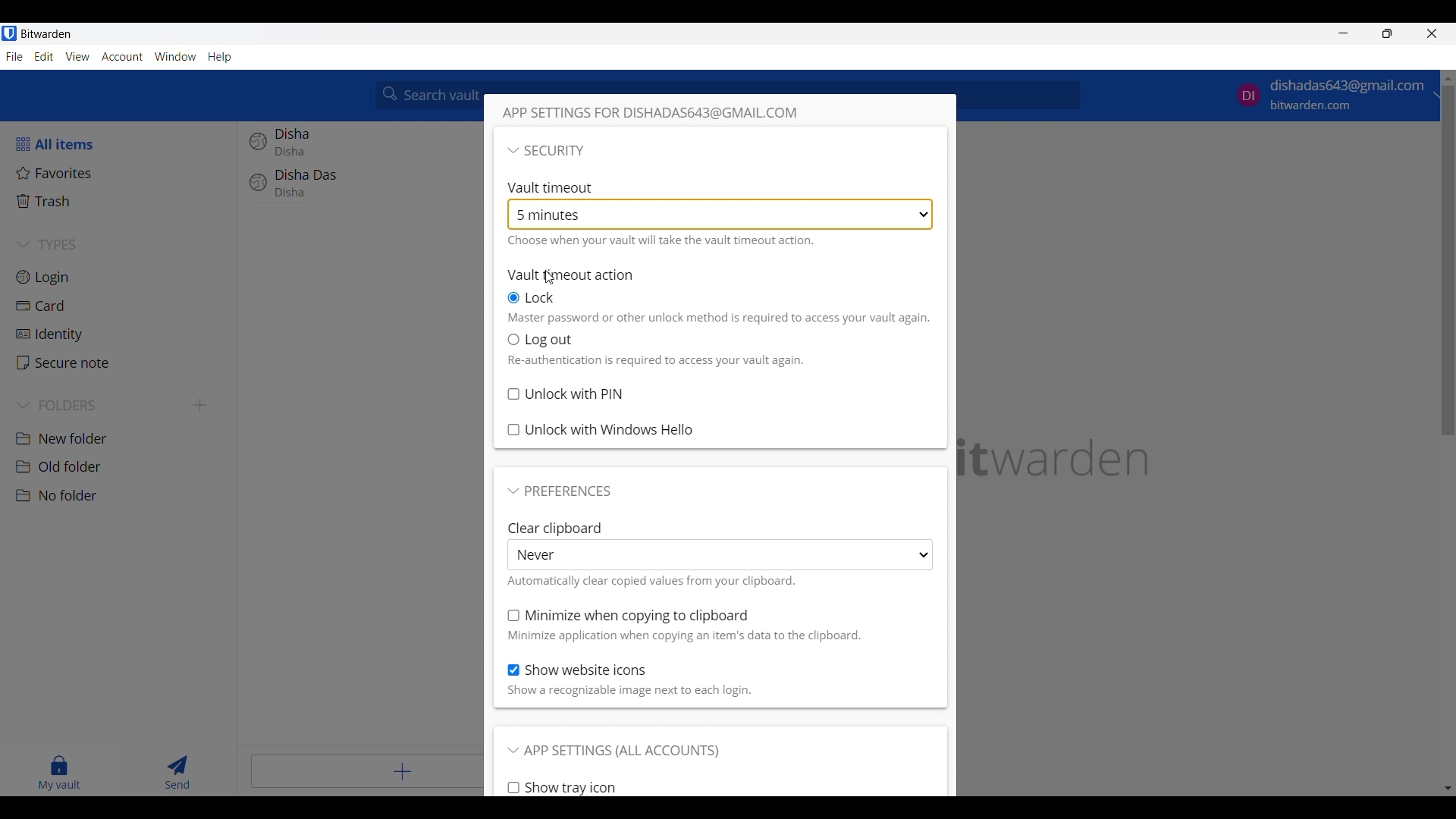 The image size is (1456, 819). I want to click on Account menu, so click(122, 57).